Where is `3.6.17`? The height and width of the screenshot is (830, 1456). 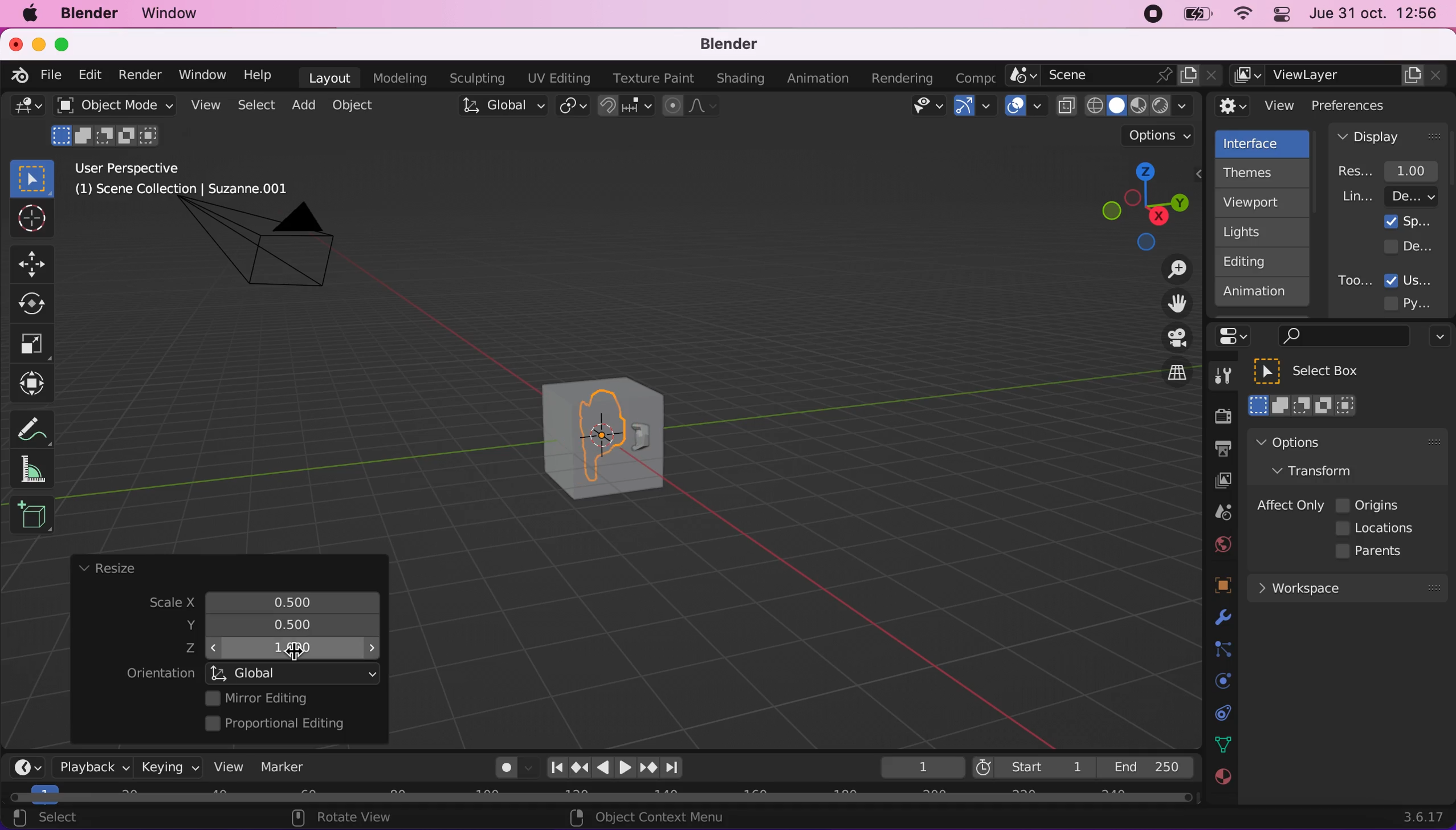 3.6.17 is located at coordinates (1426, 817).